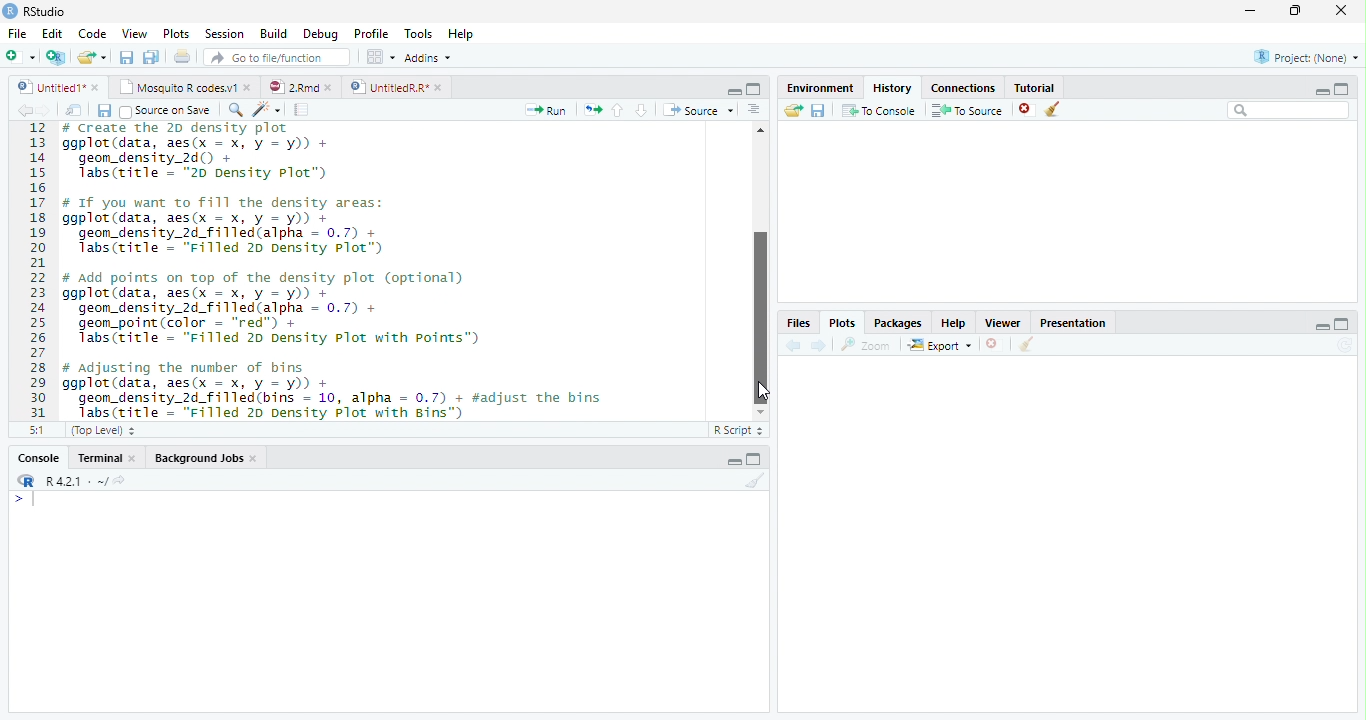 This screenshot has height=720, width=1366. Describe the element at coordinates (34, 12) in the screenshot. I see `' RStudio` at that location.